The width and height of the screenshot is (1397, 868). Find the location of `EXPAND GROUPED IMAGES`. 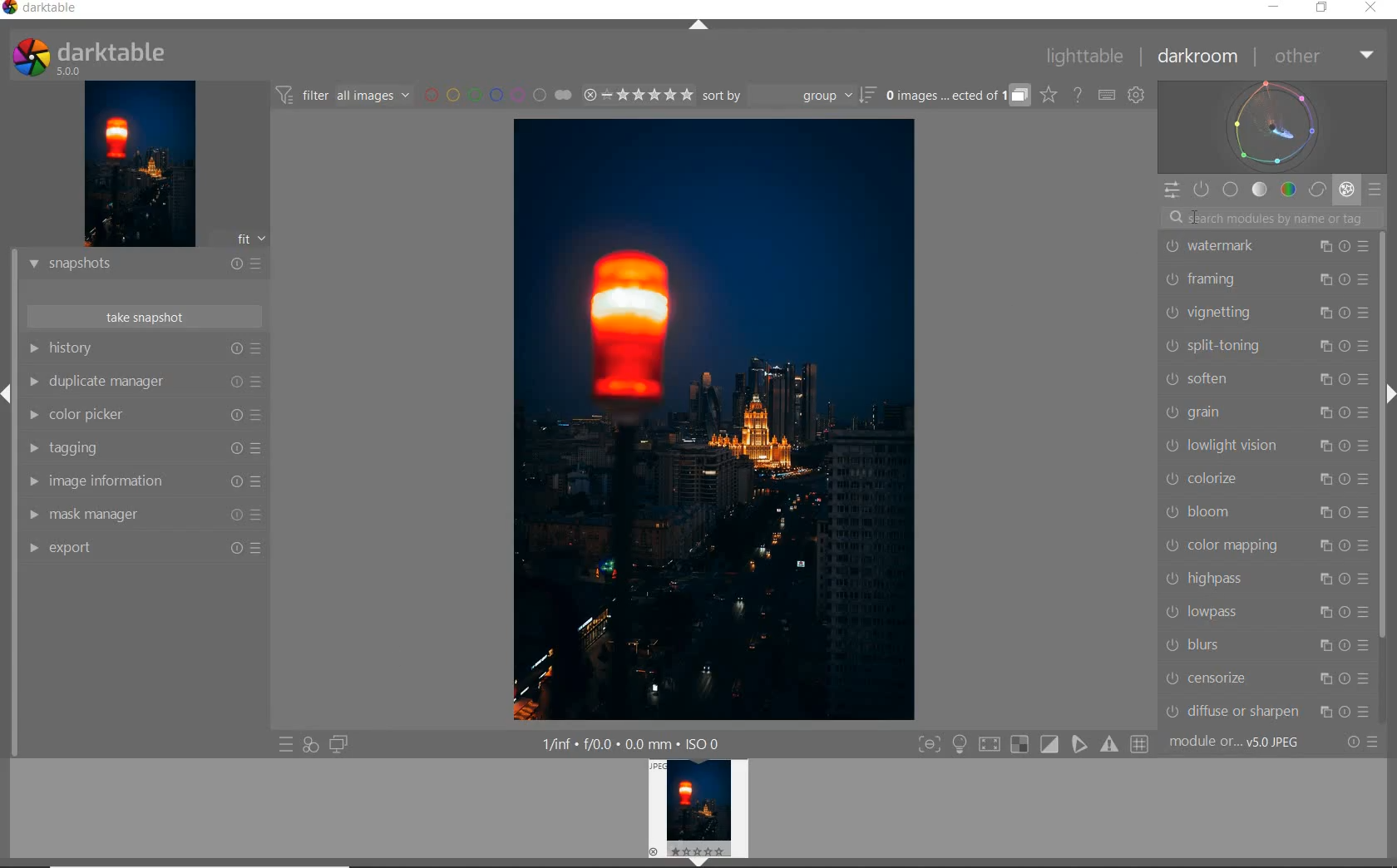

EXPAND GROUPED IMAGES is located at coordinates (955, 96).